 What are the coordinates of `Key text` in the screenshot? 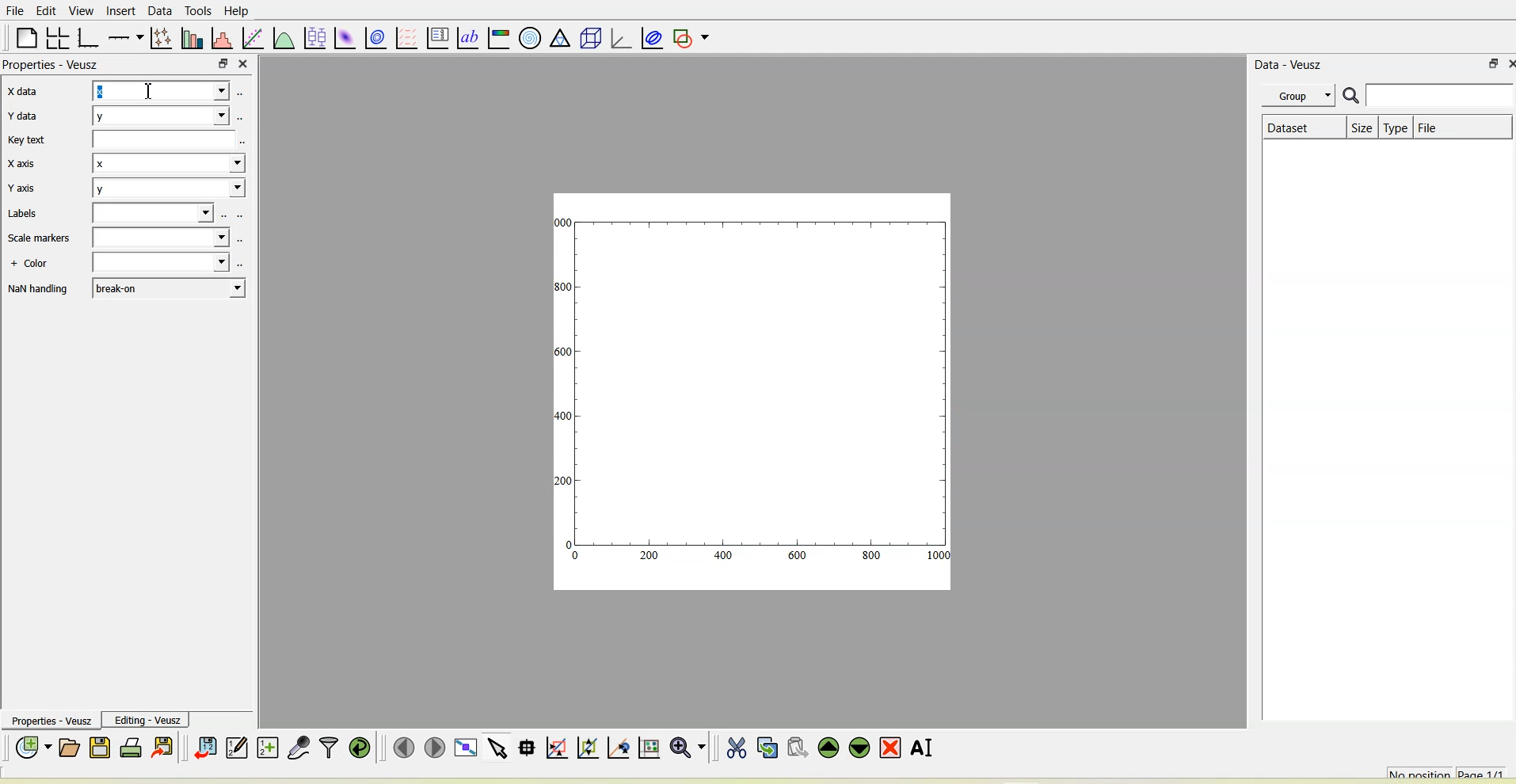 It's located at (29, 140).